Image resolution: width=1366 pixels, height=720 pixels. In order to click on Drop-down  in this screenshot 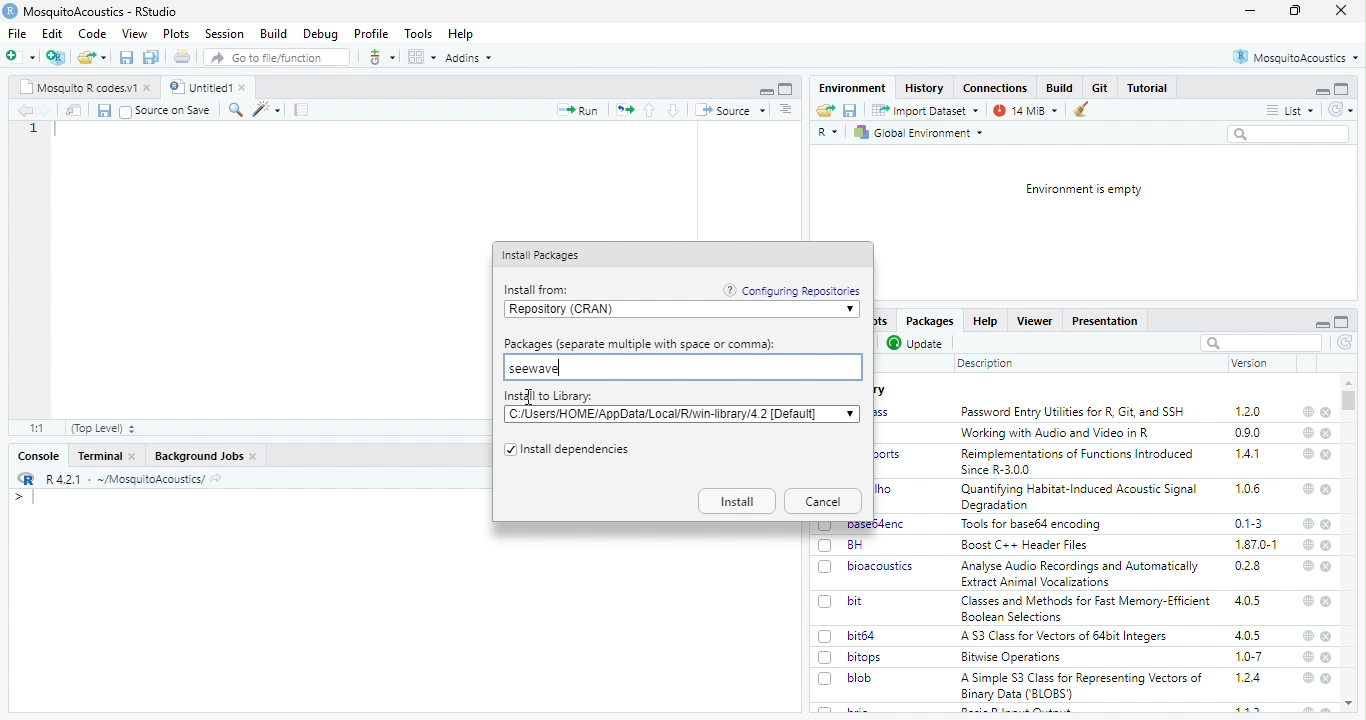, I will do `click(850, 413)`.